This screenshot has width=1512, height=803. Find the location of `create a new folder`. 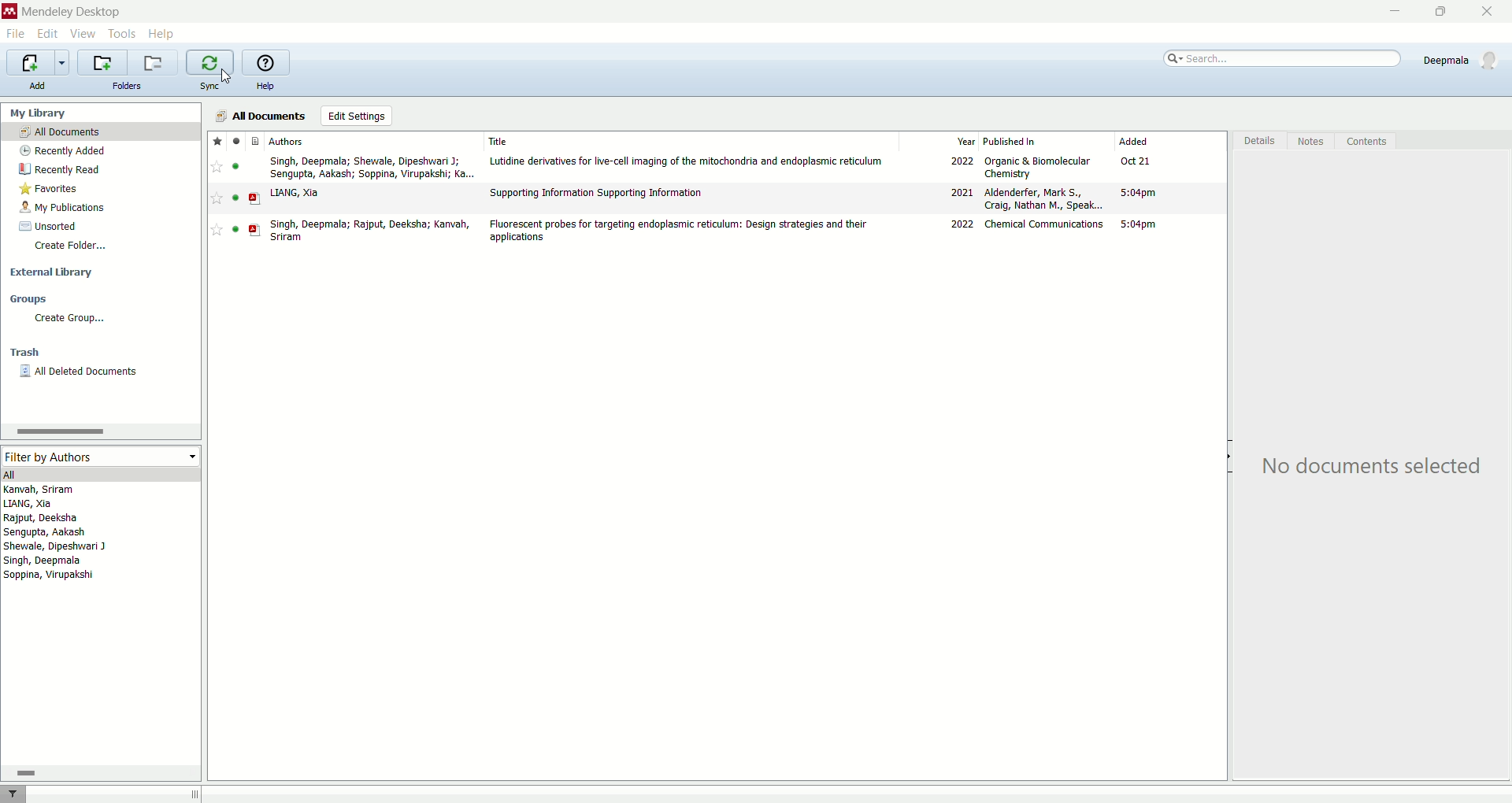

create a new folder is located at coordinates (103, 63).